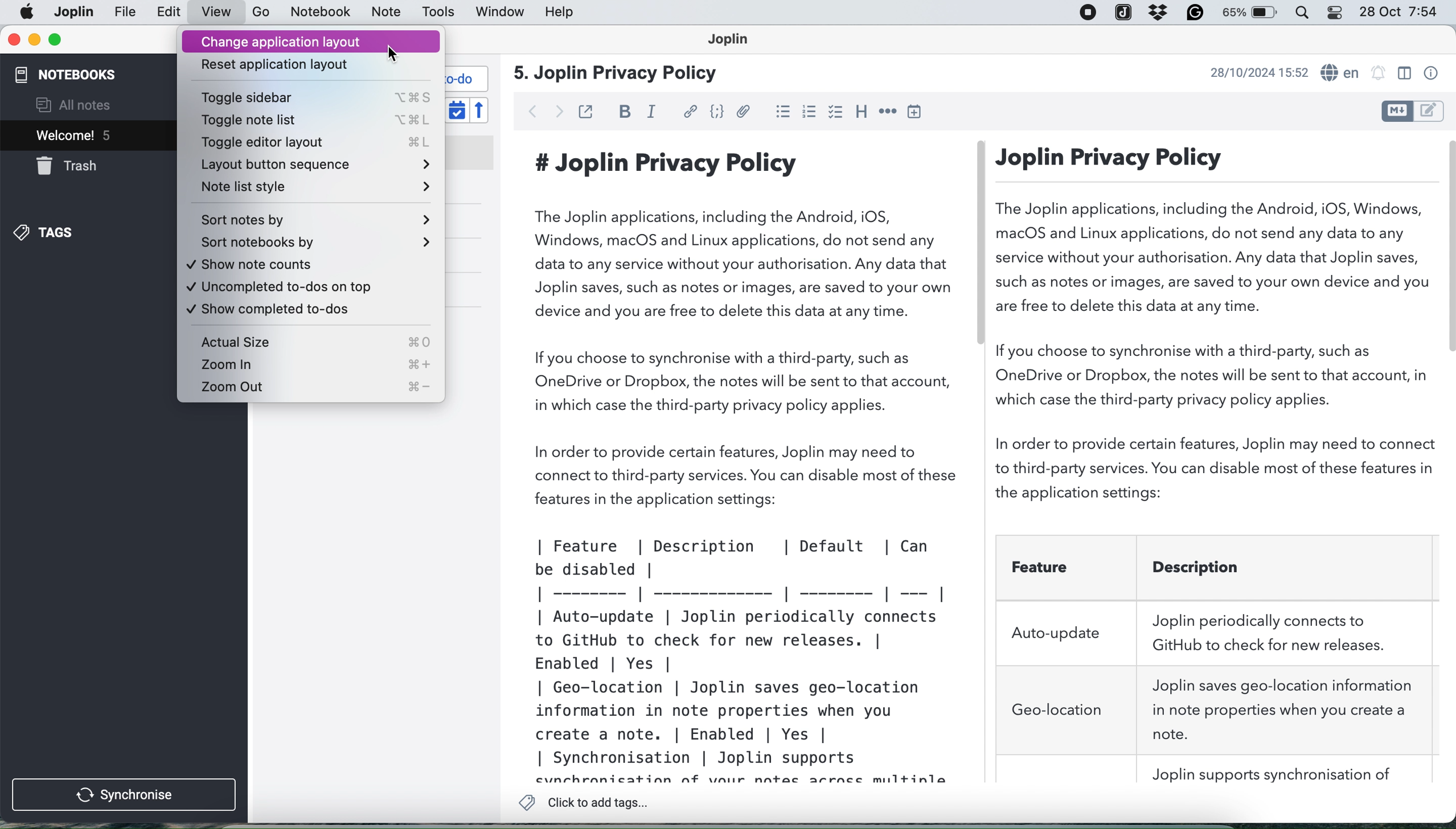 This screenshot has height=829, width=1456. What do you see at coordinates (457, 109) in the screenshot?
I see `toggle sort order field` at bounding box center [457, 109].